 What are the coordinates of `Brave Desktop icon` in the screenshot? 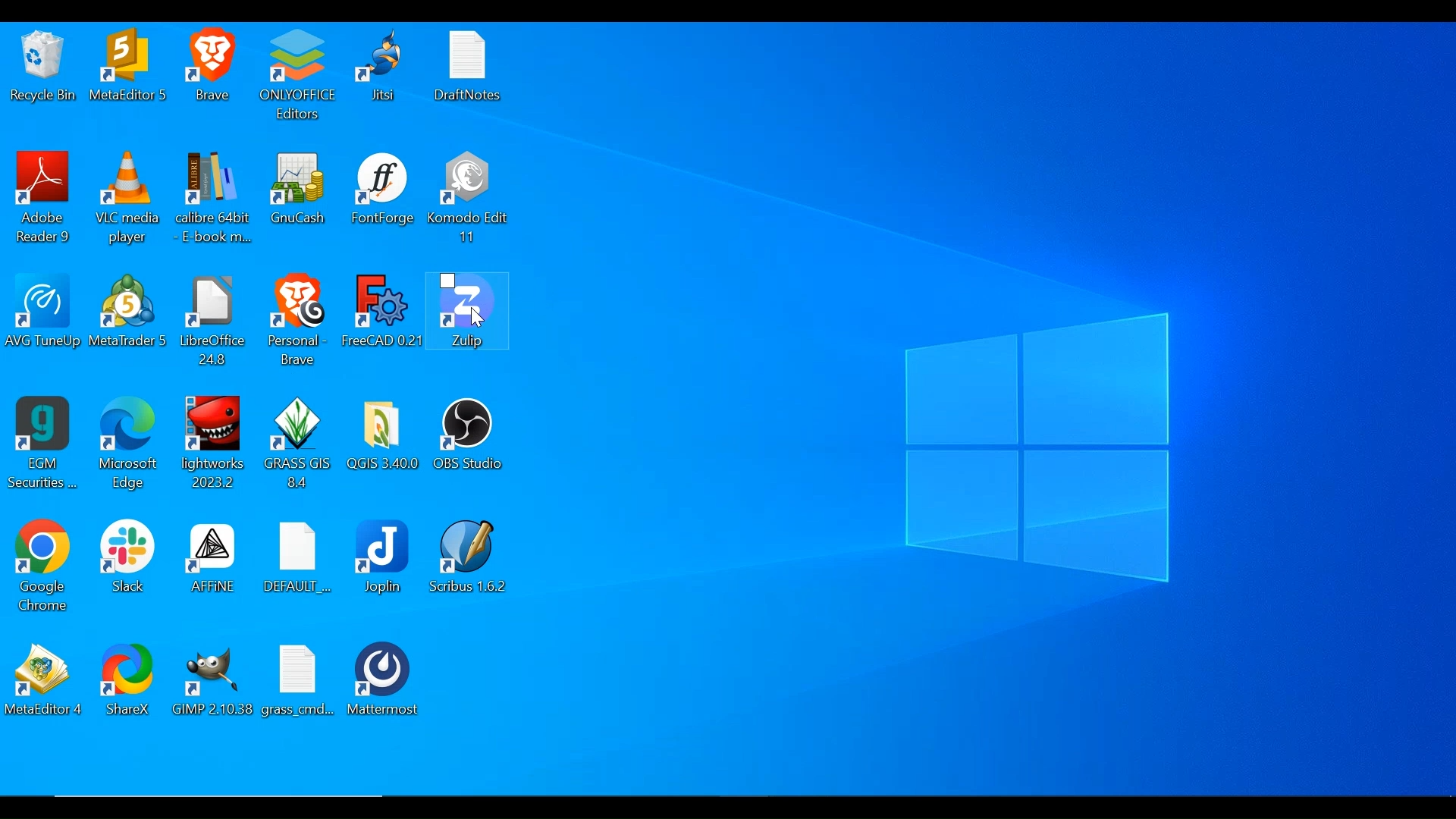 It's located at (215, 65).